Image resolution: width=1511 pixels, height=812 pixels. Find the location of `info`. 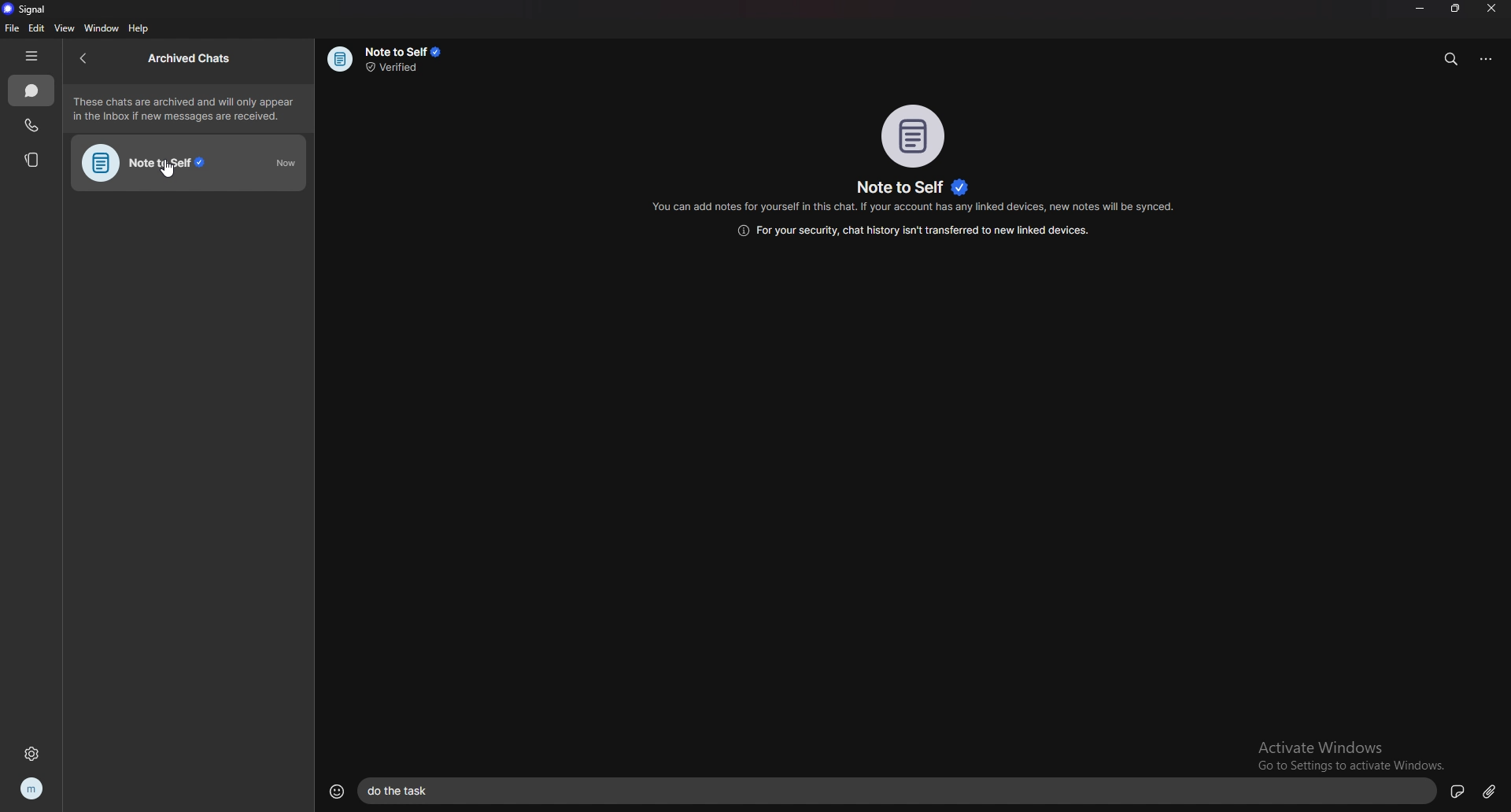

info is located at coordinates (188, 109).